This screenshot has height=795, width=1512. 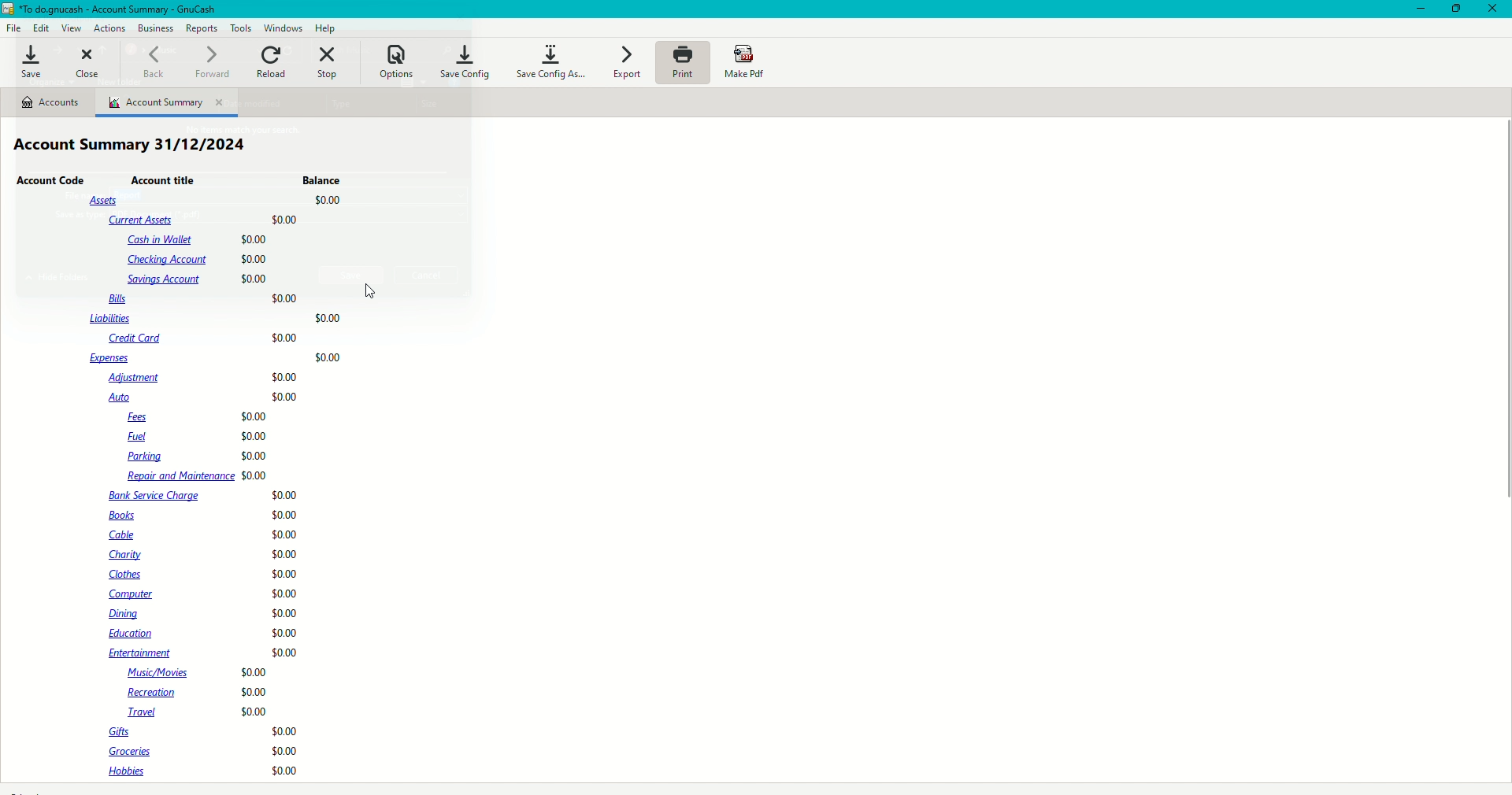 I want to click on Export, so click(x=624, y=64).